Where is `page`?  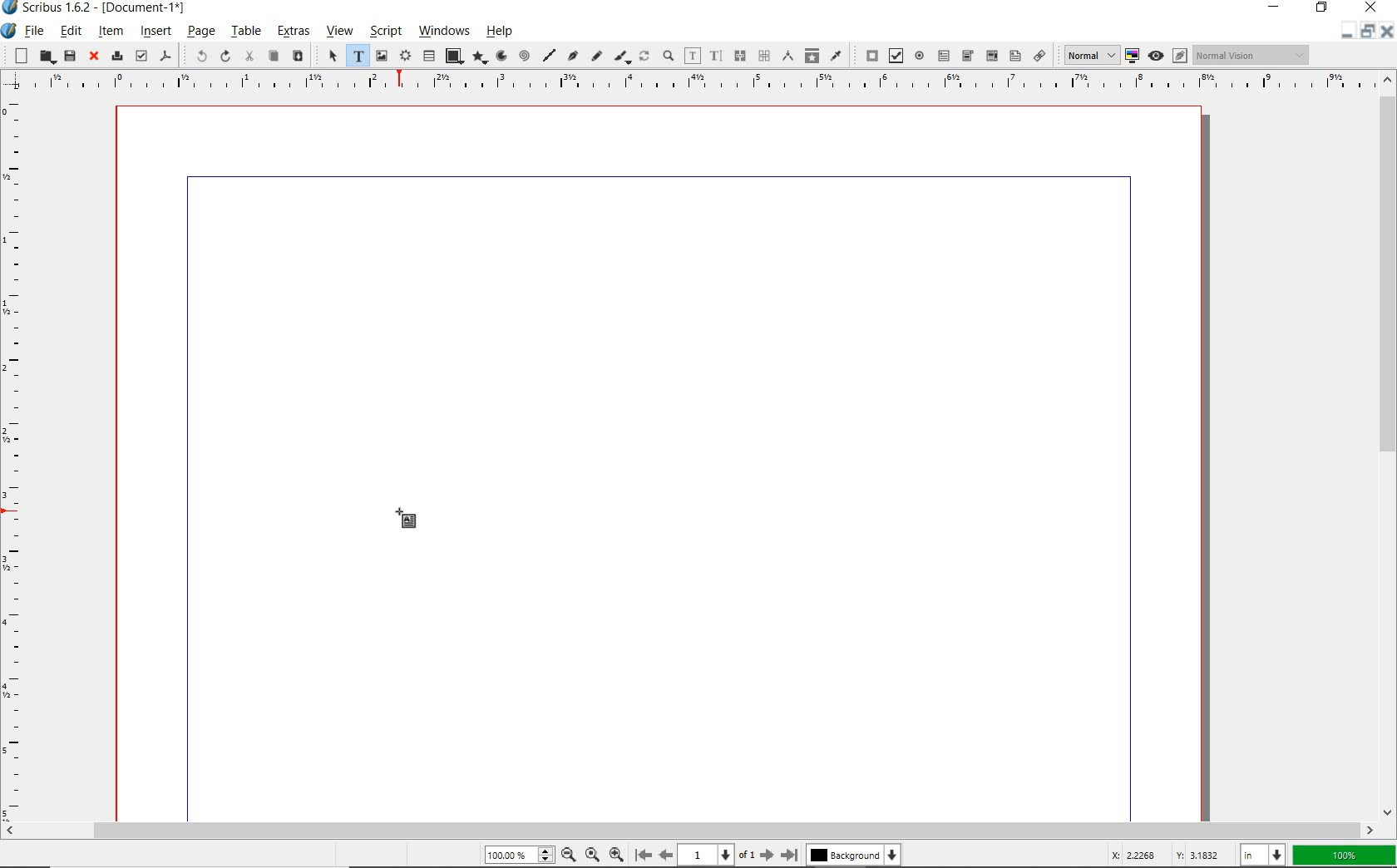
page is located at coordinates (200, 32).